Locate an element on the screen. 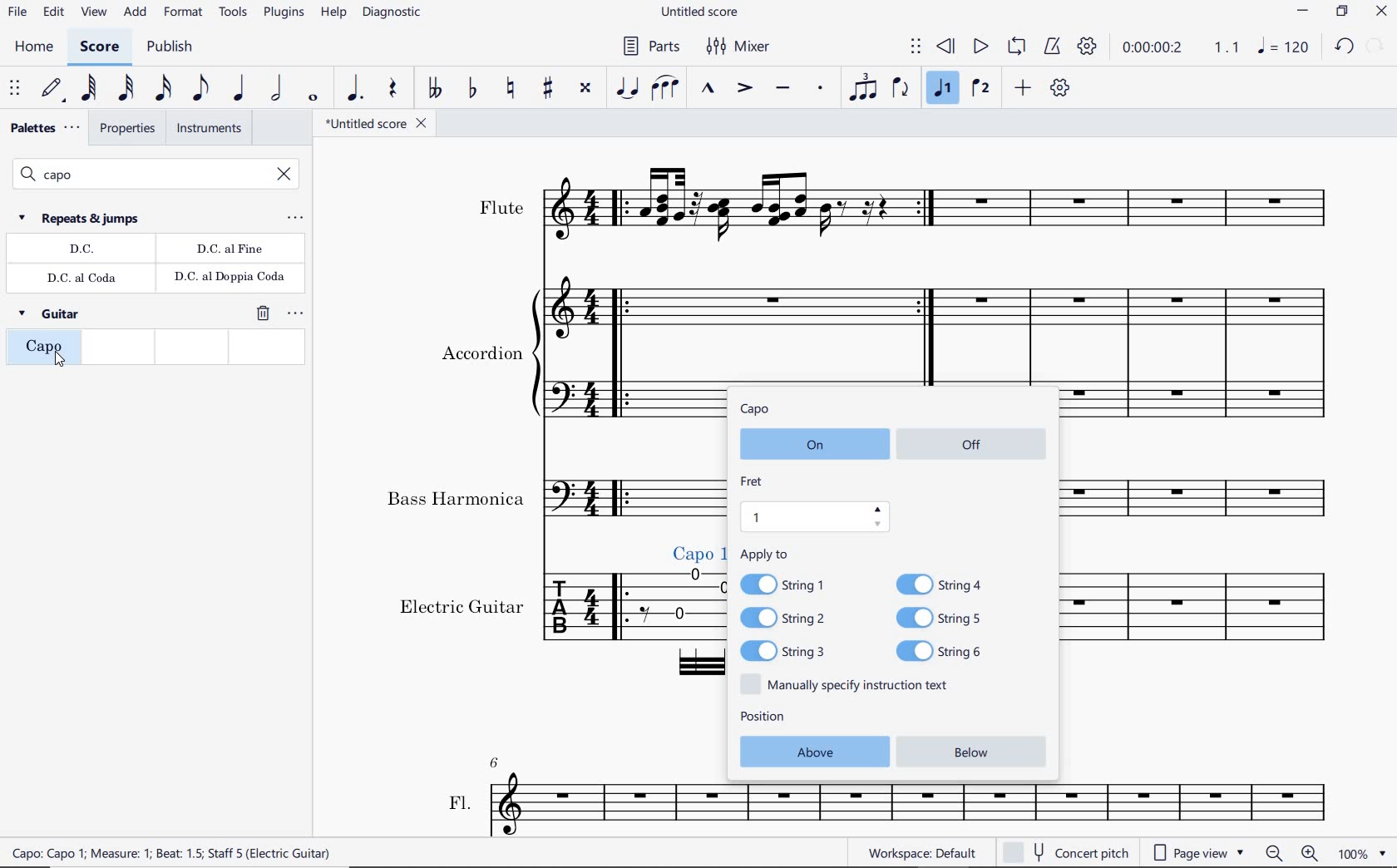 Image resolution: width=1397 pixels, height=868 pixels. tools is located at coordinates (233, 17).